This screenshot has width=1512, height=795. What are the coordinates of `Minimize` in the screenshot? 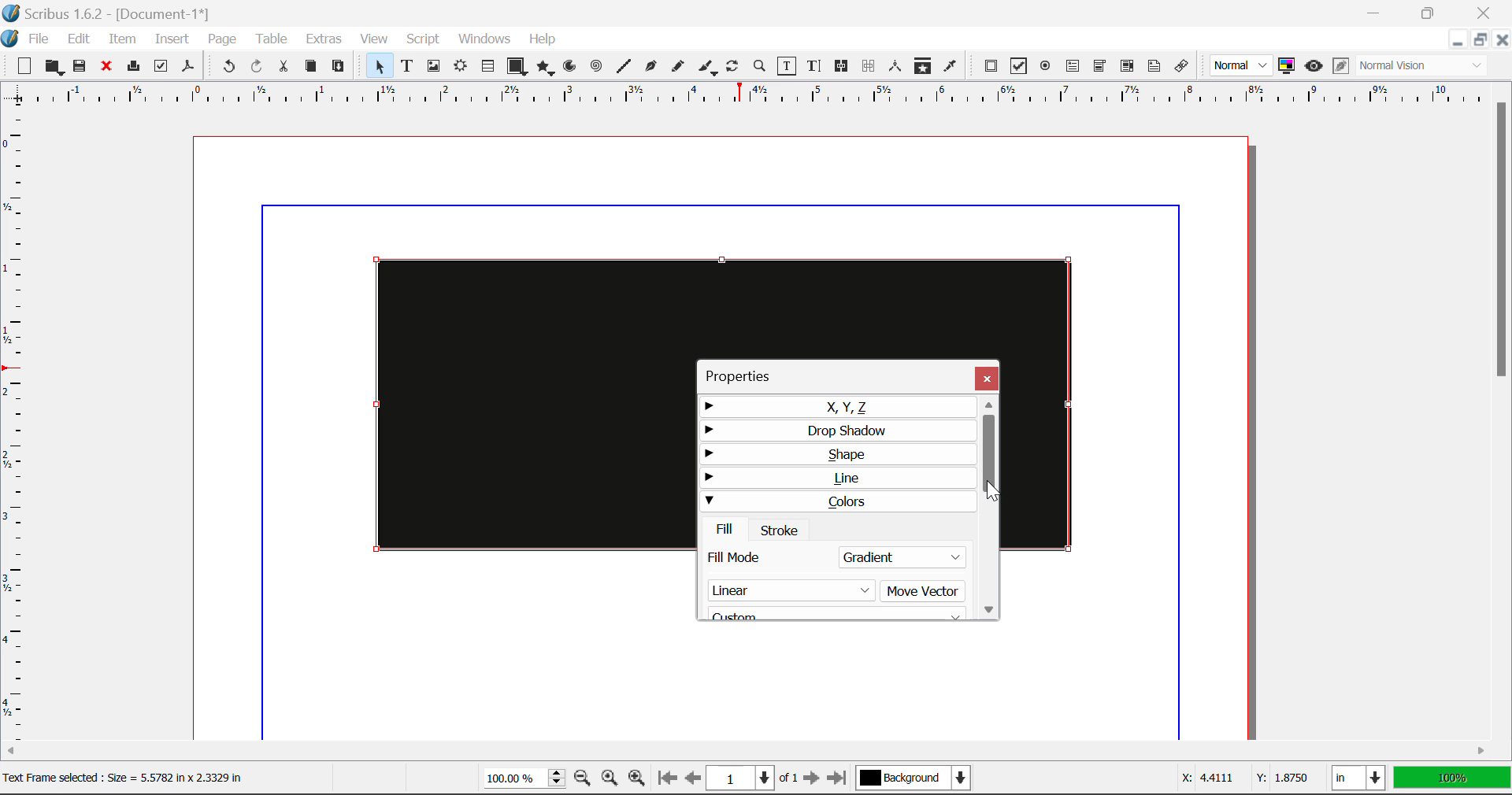 It's located at (1478, 39).